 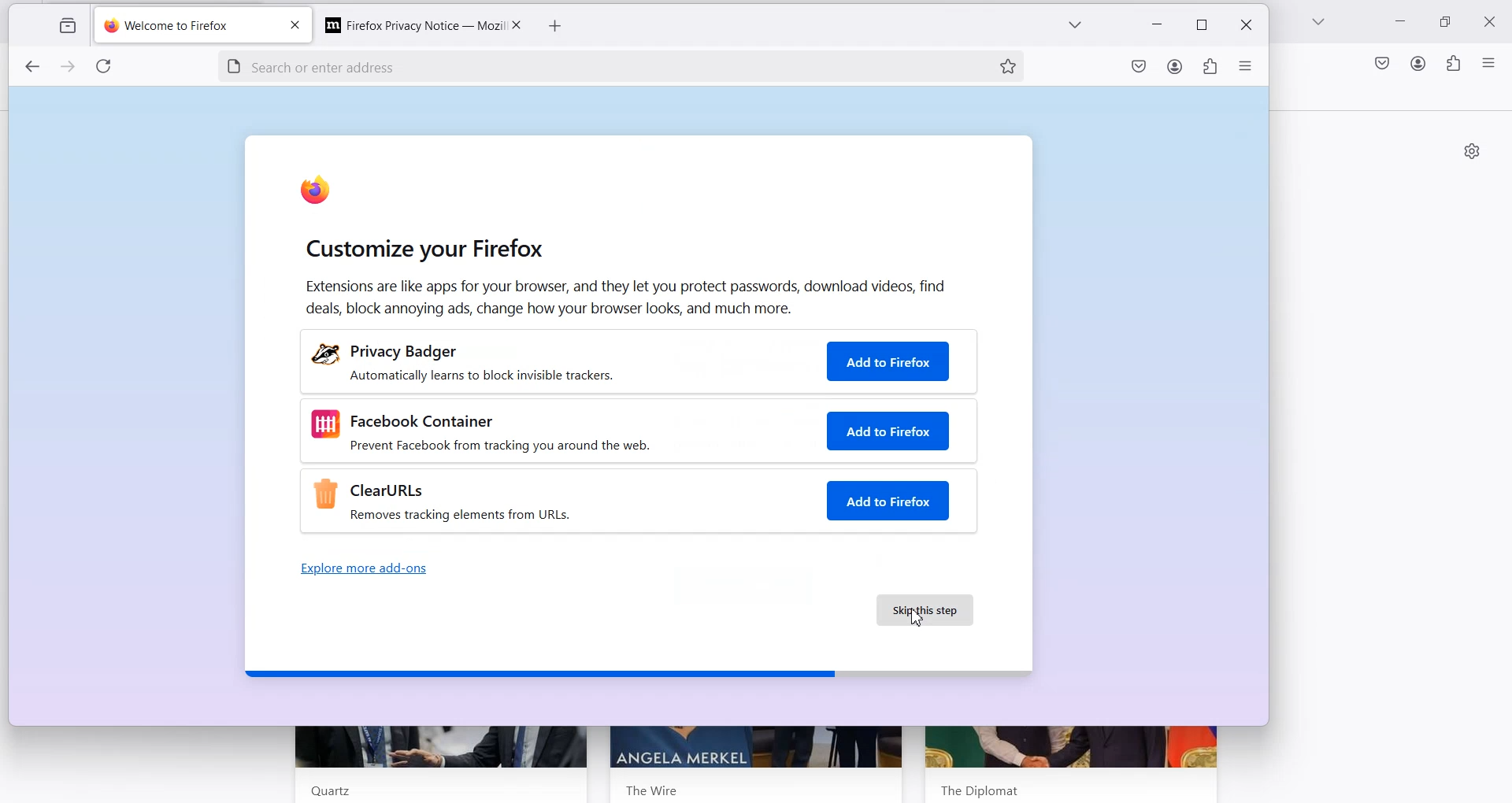 I want to click on Extensions, so click(x=1453, y=64).